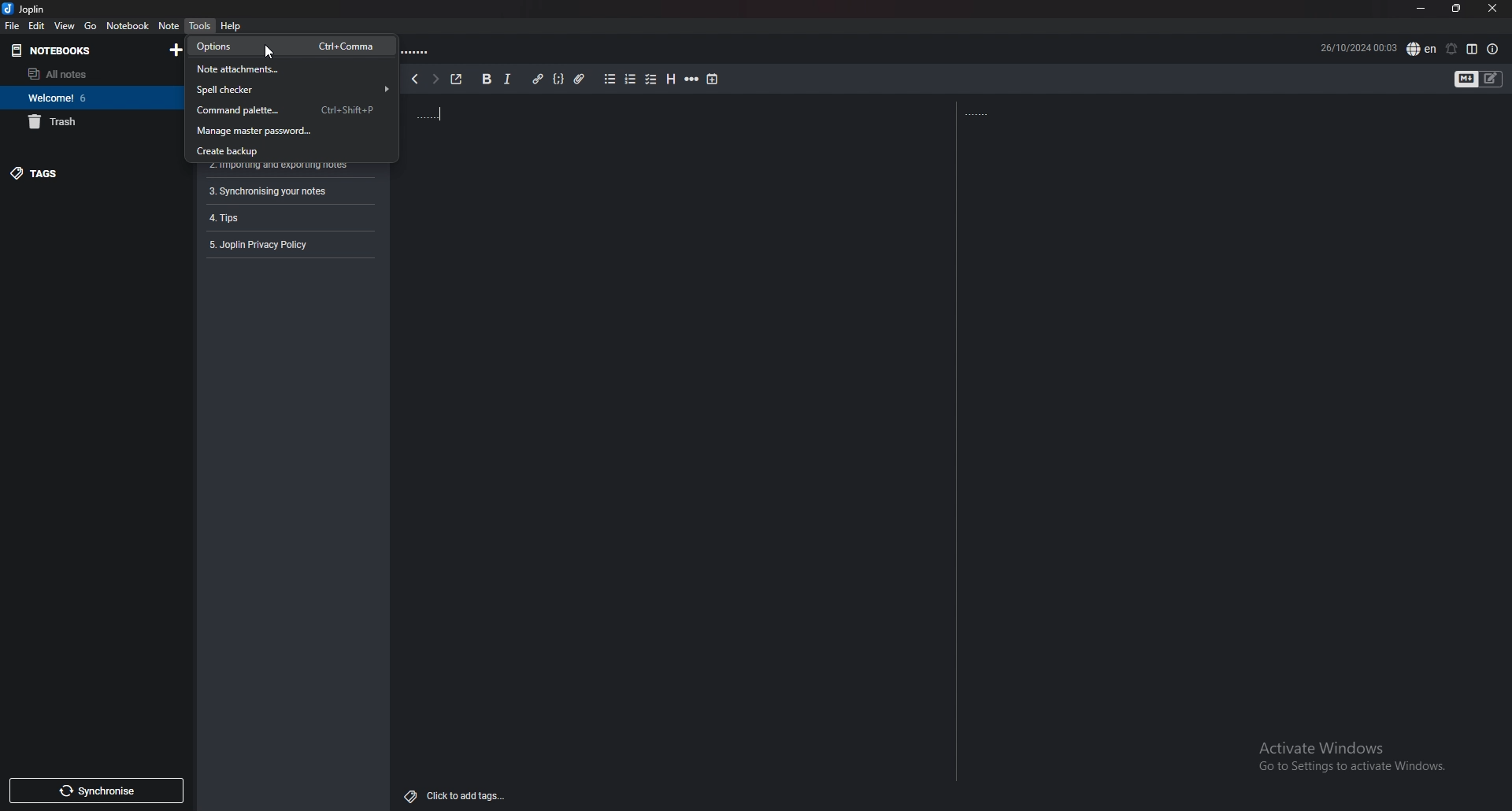 This screenshot has width=1512, height=811. I want to click on numbered list, so click(632, 79).